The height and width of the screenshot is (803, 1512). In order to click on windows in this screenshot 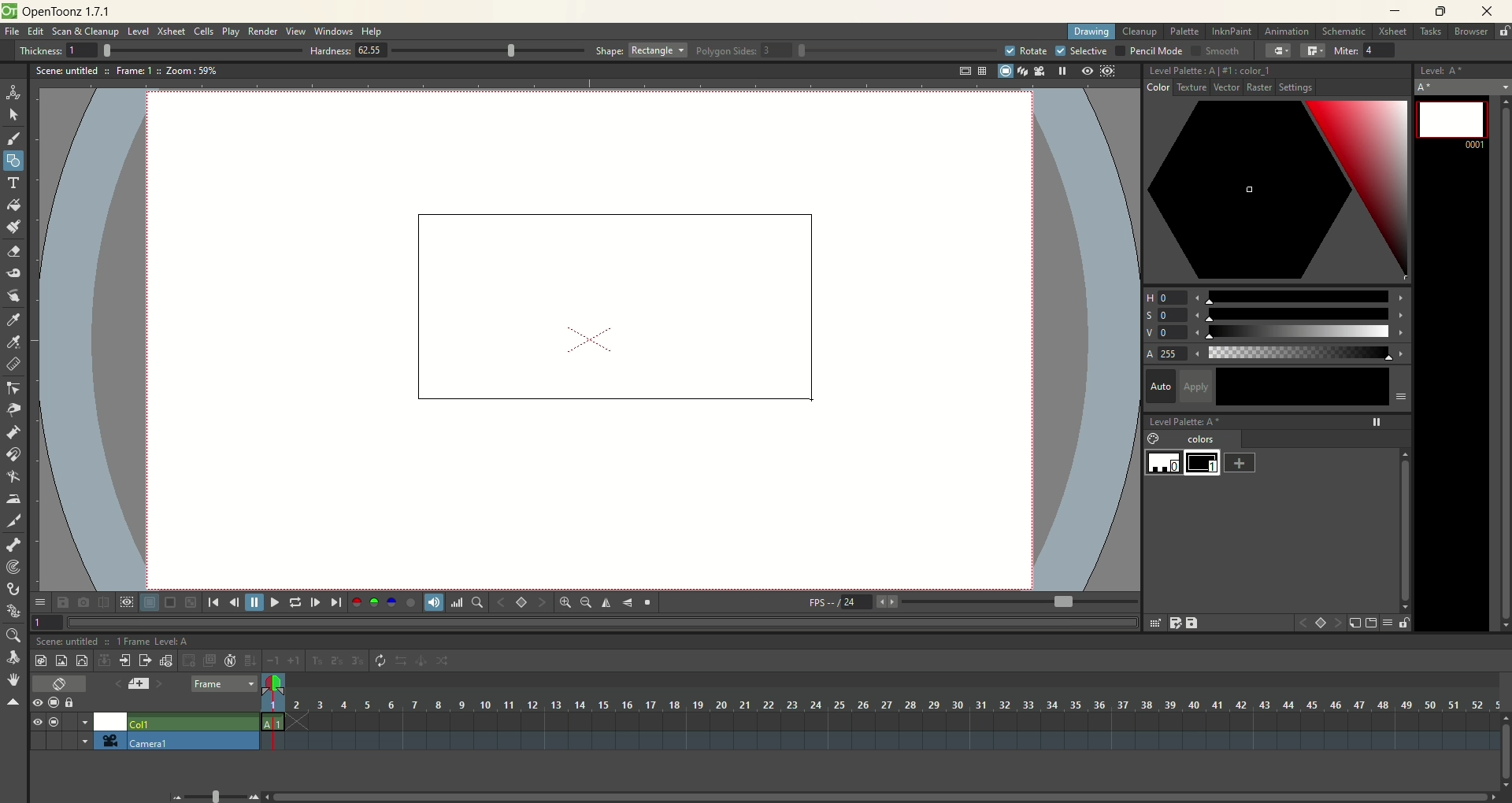, I will do `click(335, 31)`.